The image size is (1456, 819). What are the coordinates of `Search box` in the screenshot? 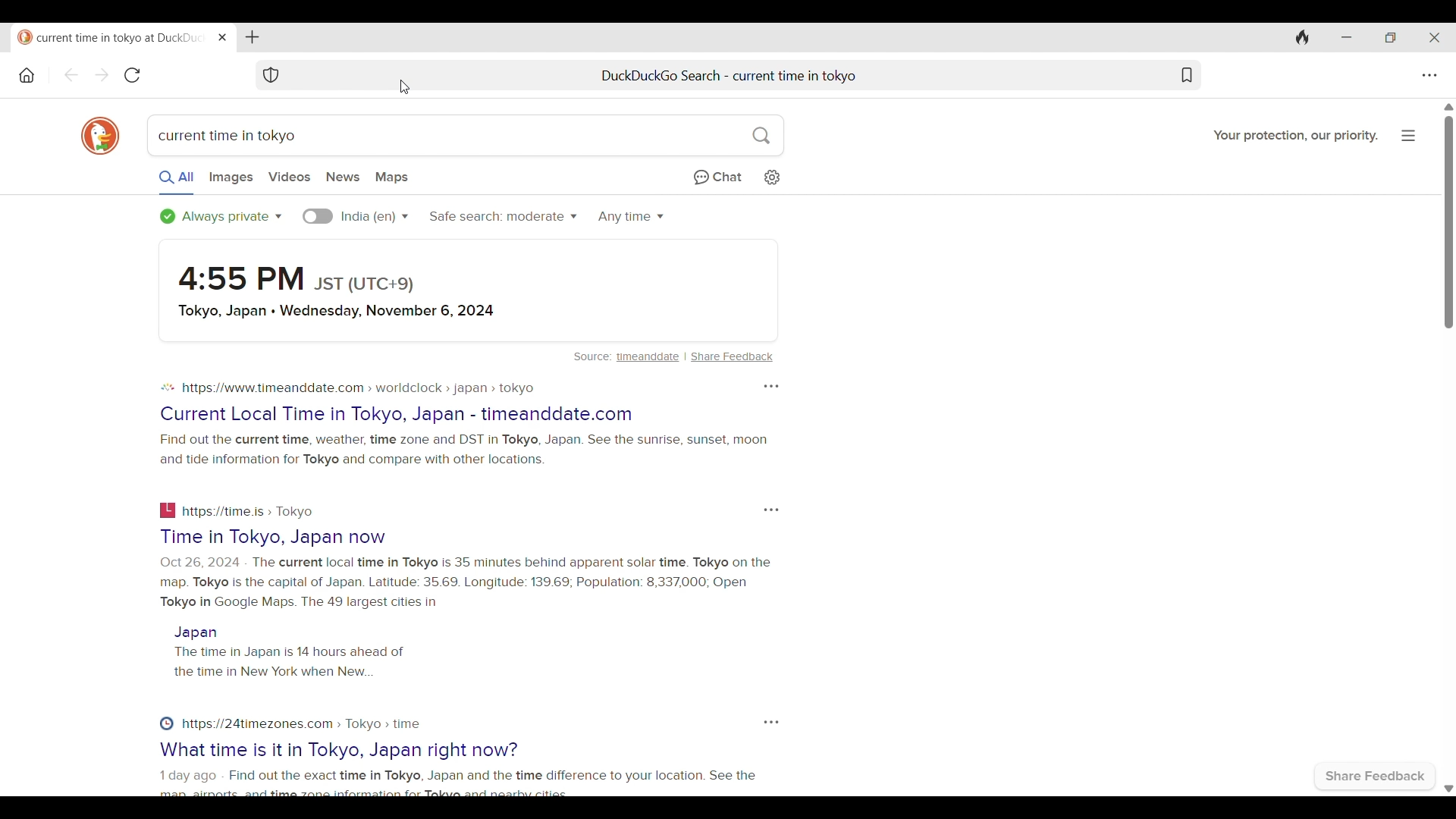 It's located at (542, 135).